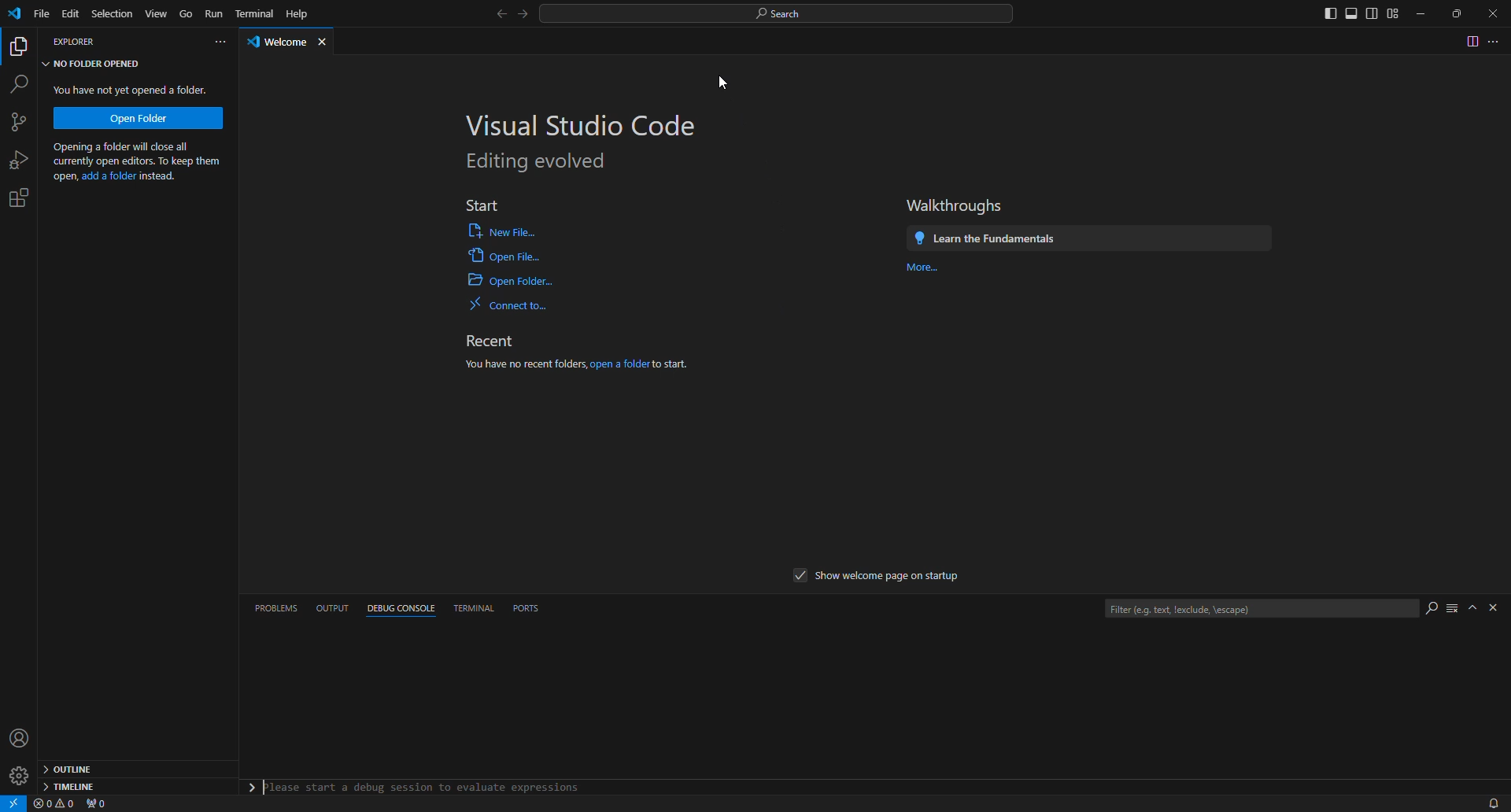 The height and width of the screenshot is (812, 1511). Describe the element at coordinates (128, 90) in the screenshot. I see `You have not yet opened a folder` at that location.